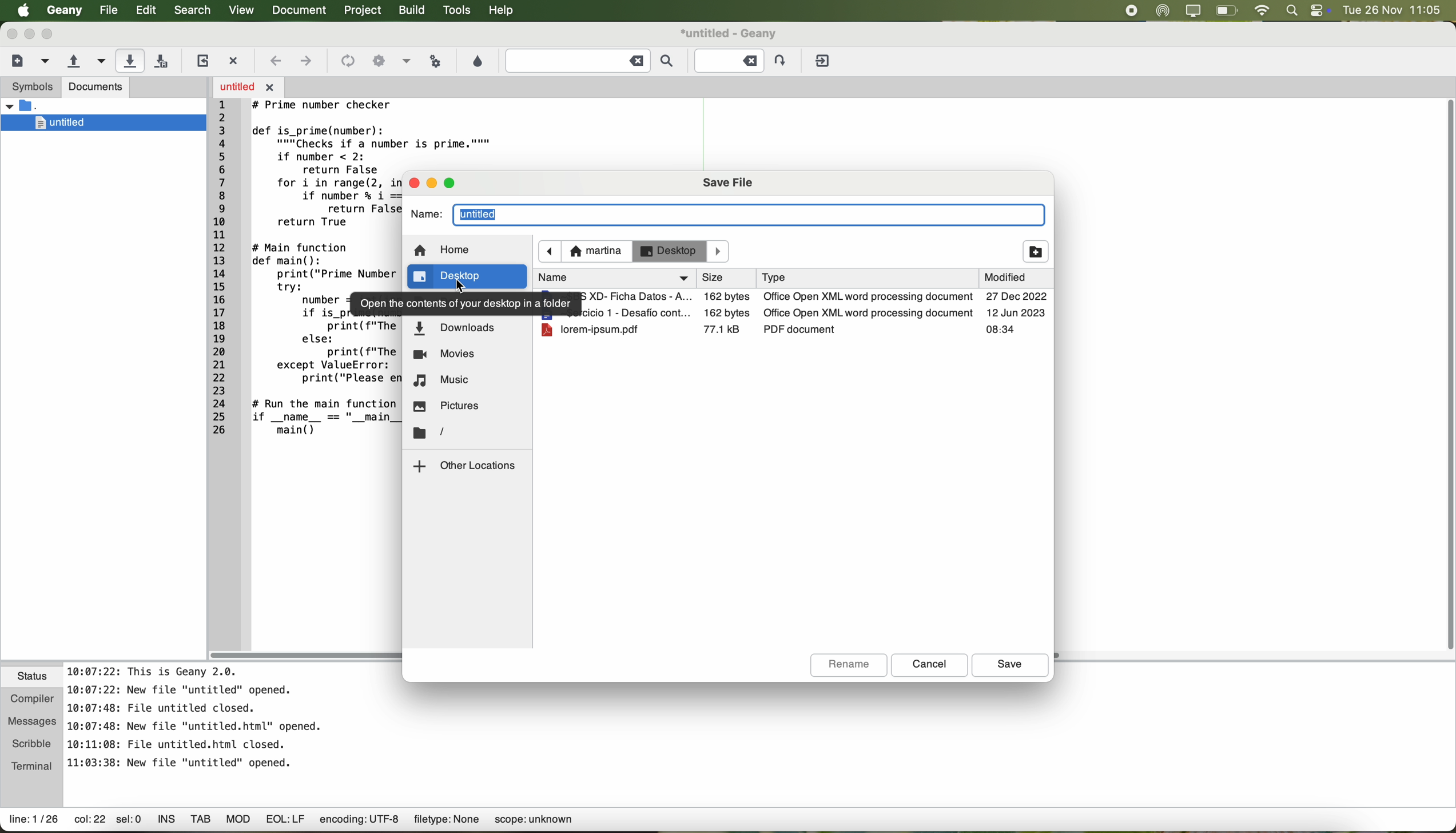  What do you see at coordinates (452, 183) in the screenshot?
I see `maximize pop-up` at bounding box center [452, 183].